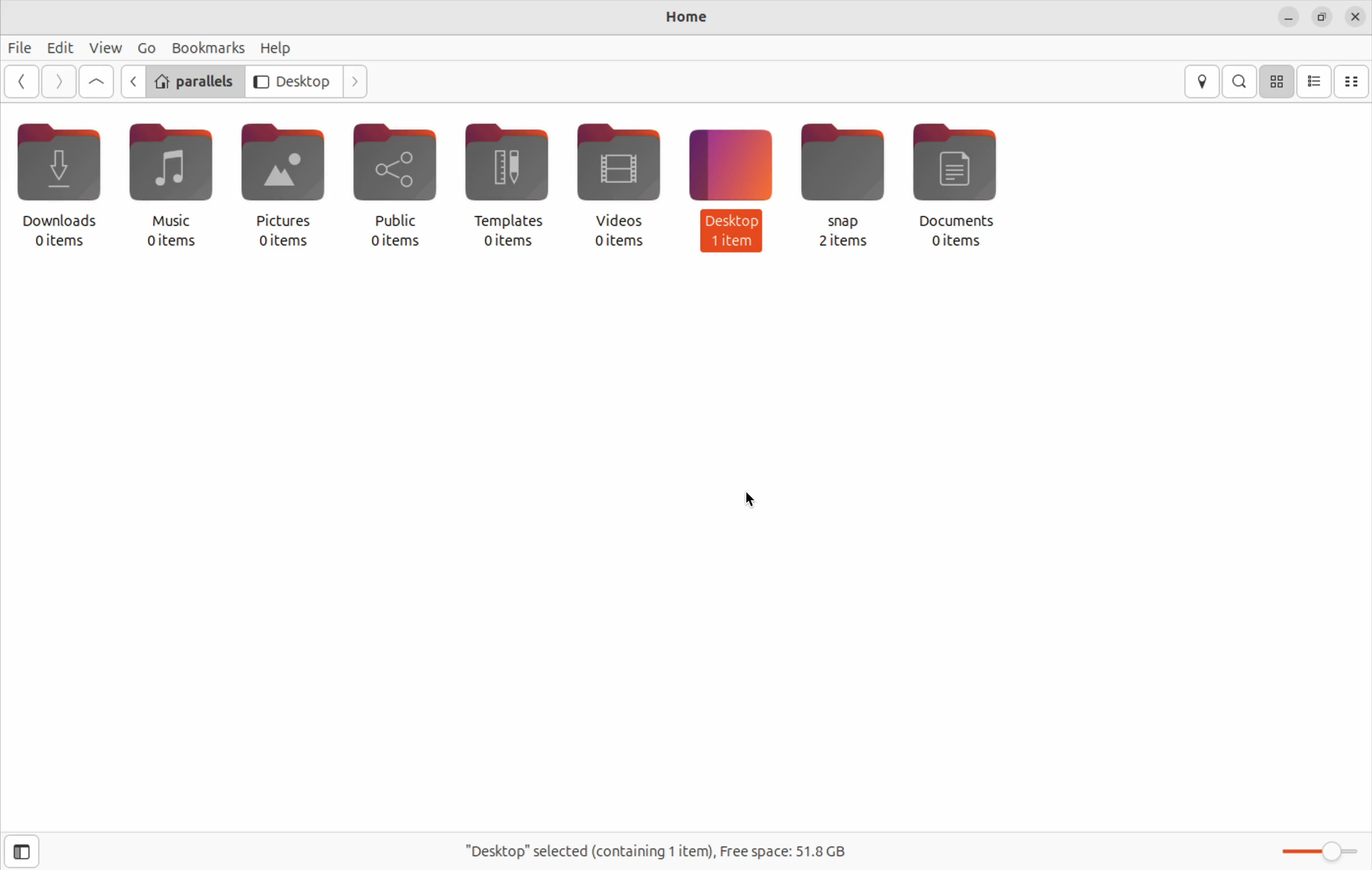  Describe the element at coordinates (59, 47) in the screenshot. I see `edit` at that location.